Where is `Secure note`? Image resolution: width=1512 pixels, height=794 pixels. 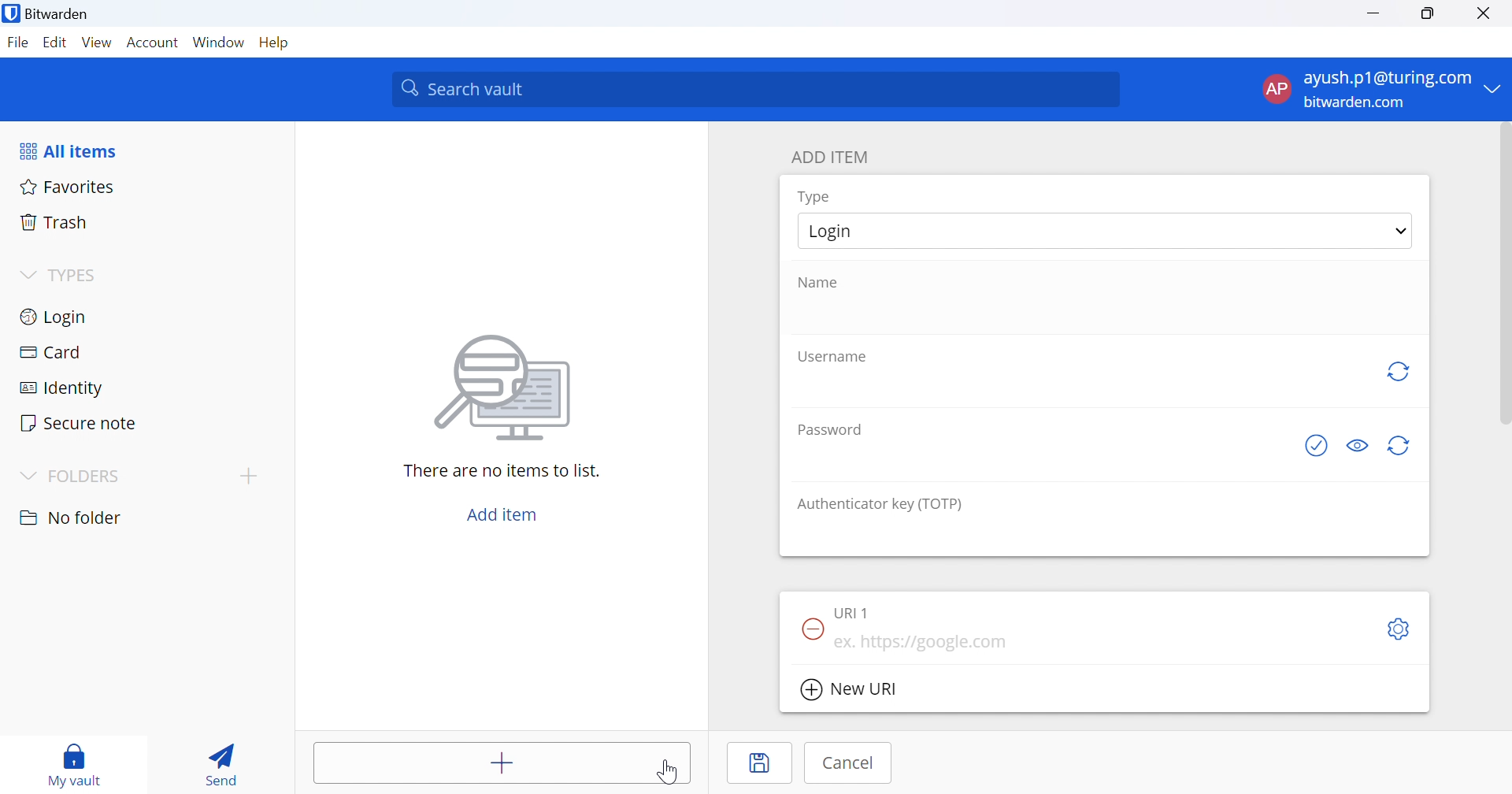
Secure note is located at coordinates (81, 425).